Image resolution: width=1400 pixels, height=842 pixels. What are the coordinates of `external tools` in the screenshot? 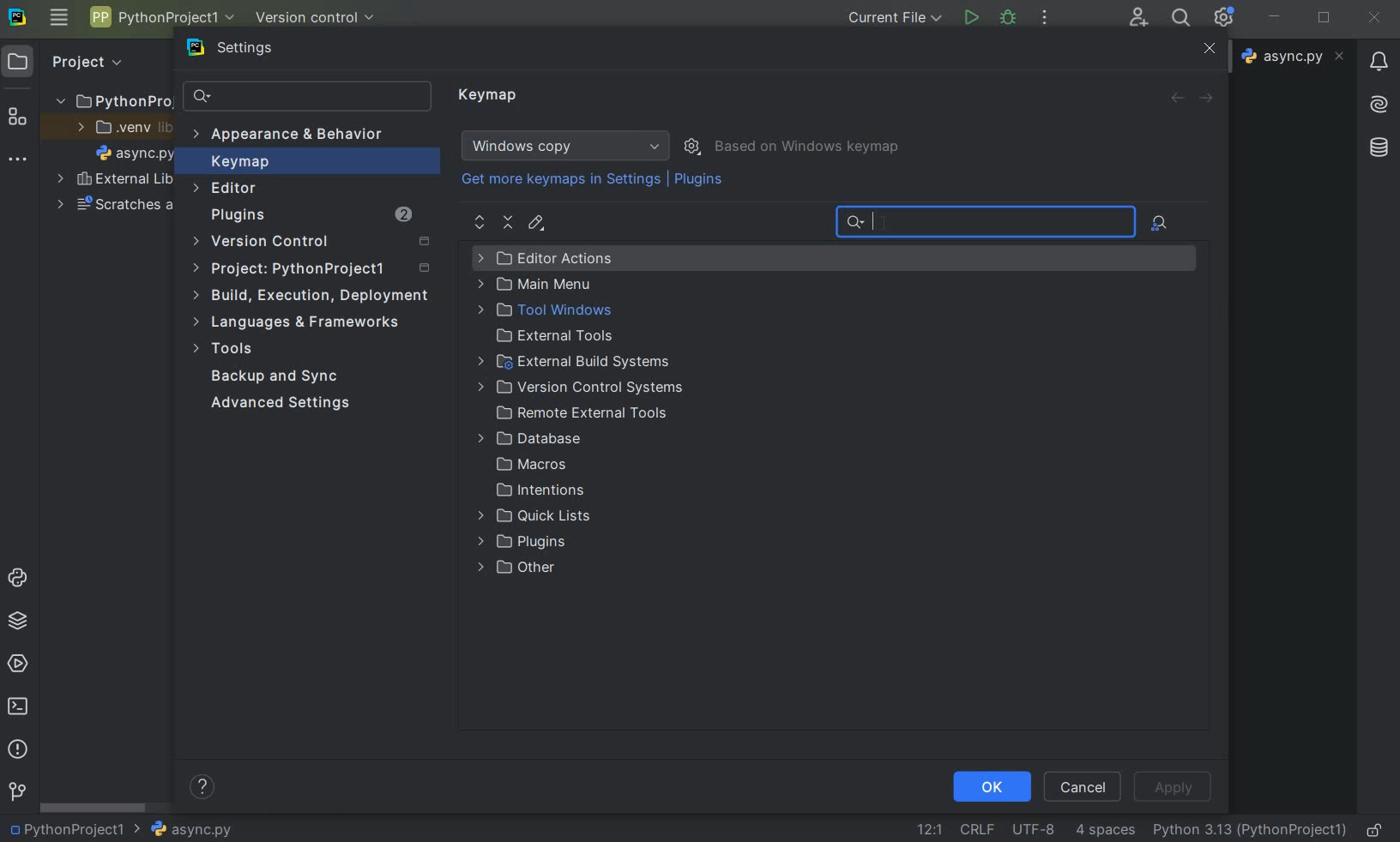 It's located at (542, 335).